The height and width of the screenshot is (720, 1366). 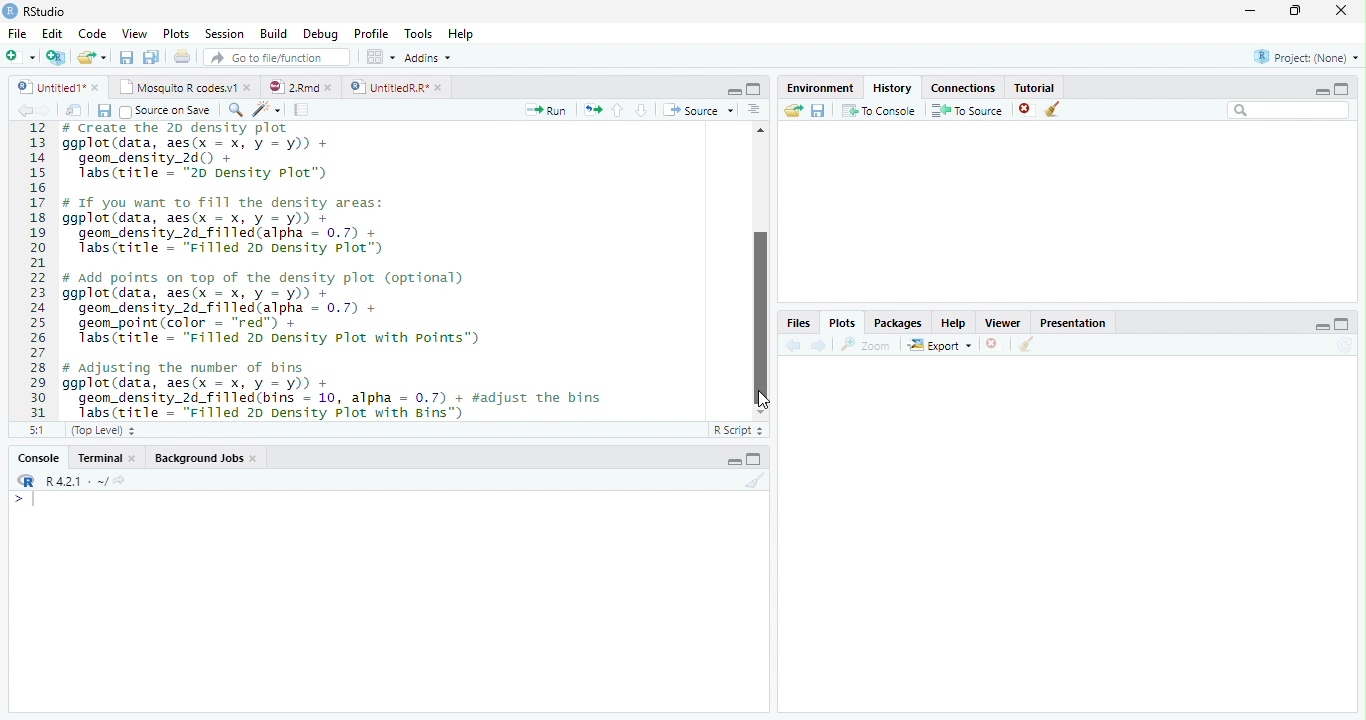 What do you see at coordinates (790, 345) in the screenshot?
I see `back` at bounding box center [790, 345].